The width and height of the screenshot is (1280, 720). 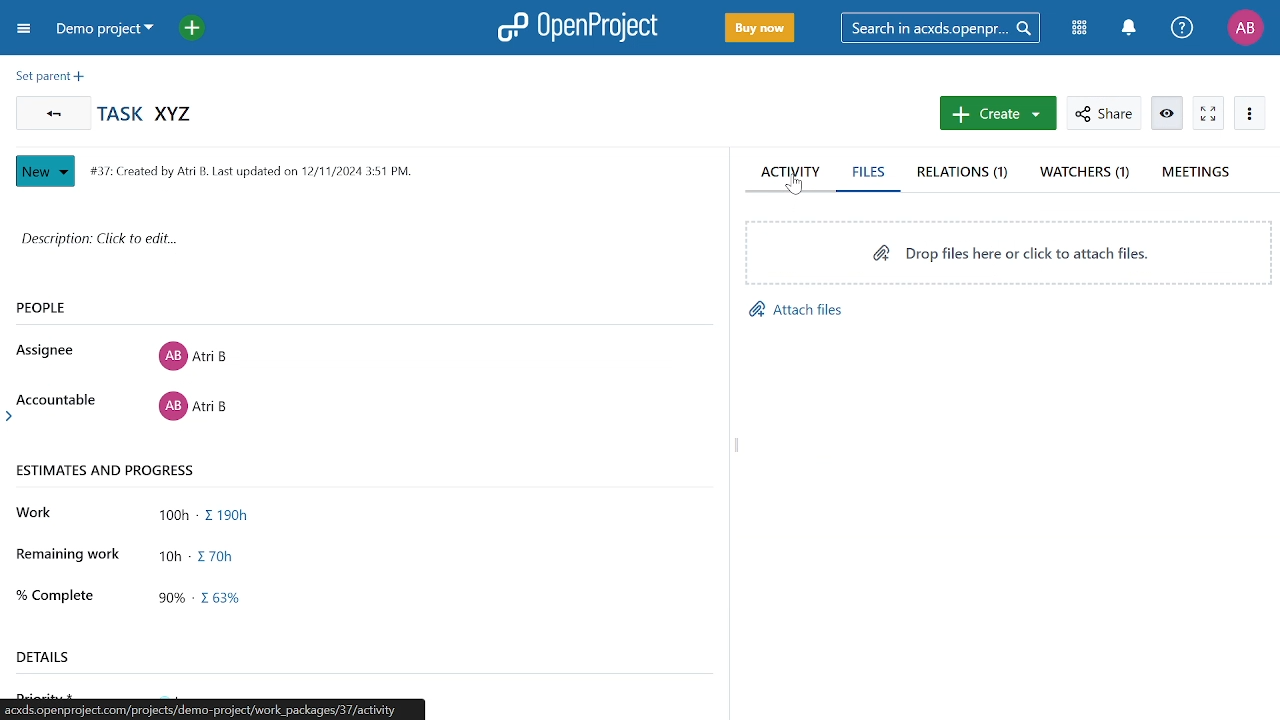 What do you see at coordinates (58, 598) in the screenshot?
I see `% Complete` at bounding box center [58, 598].